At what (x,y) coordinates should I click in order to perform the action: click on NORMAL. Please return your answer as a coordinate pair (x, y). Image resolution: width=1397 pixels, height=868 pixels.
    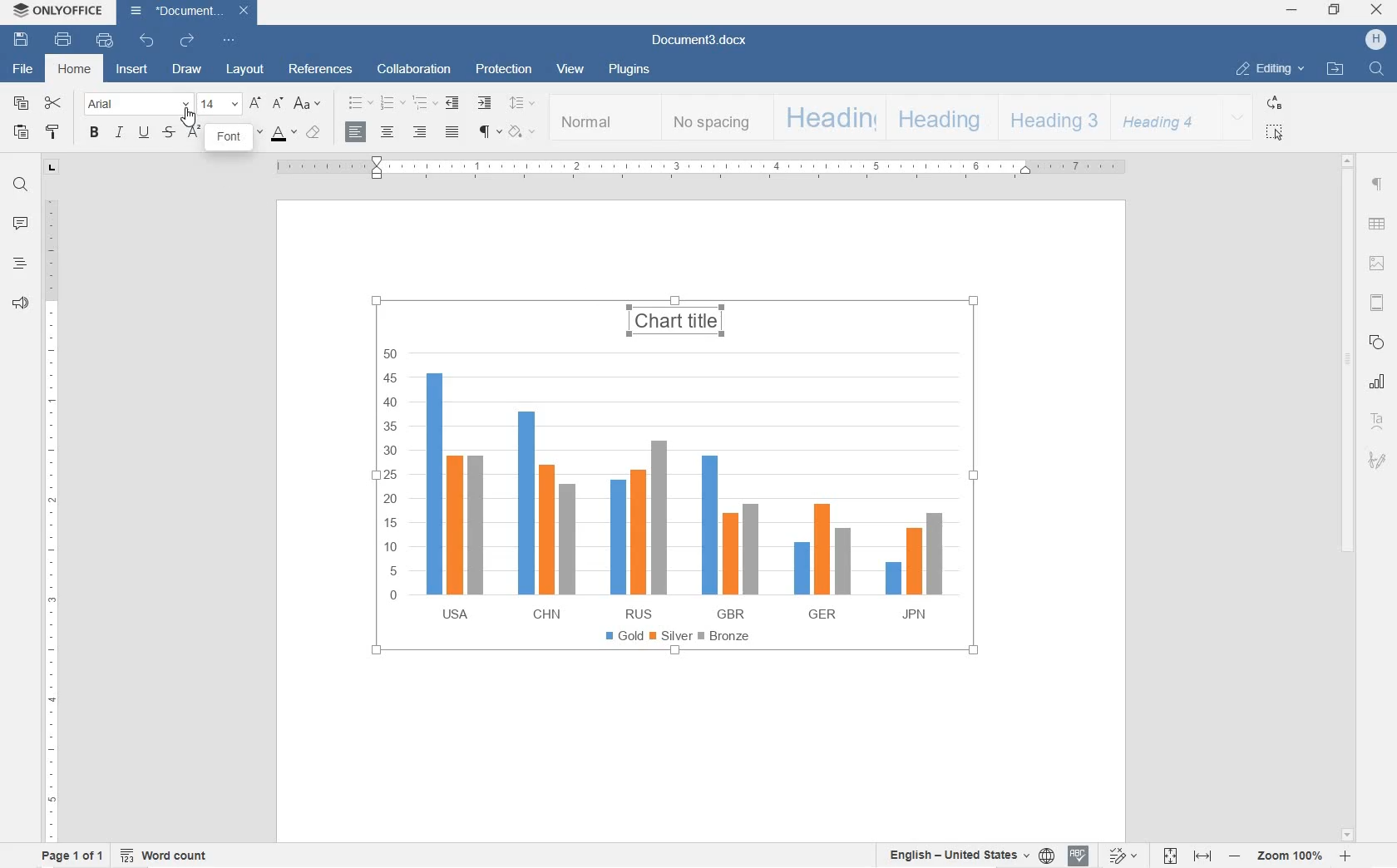
    Looking at the image, I should click on (605, 117).